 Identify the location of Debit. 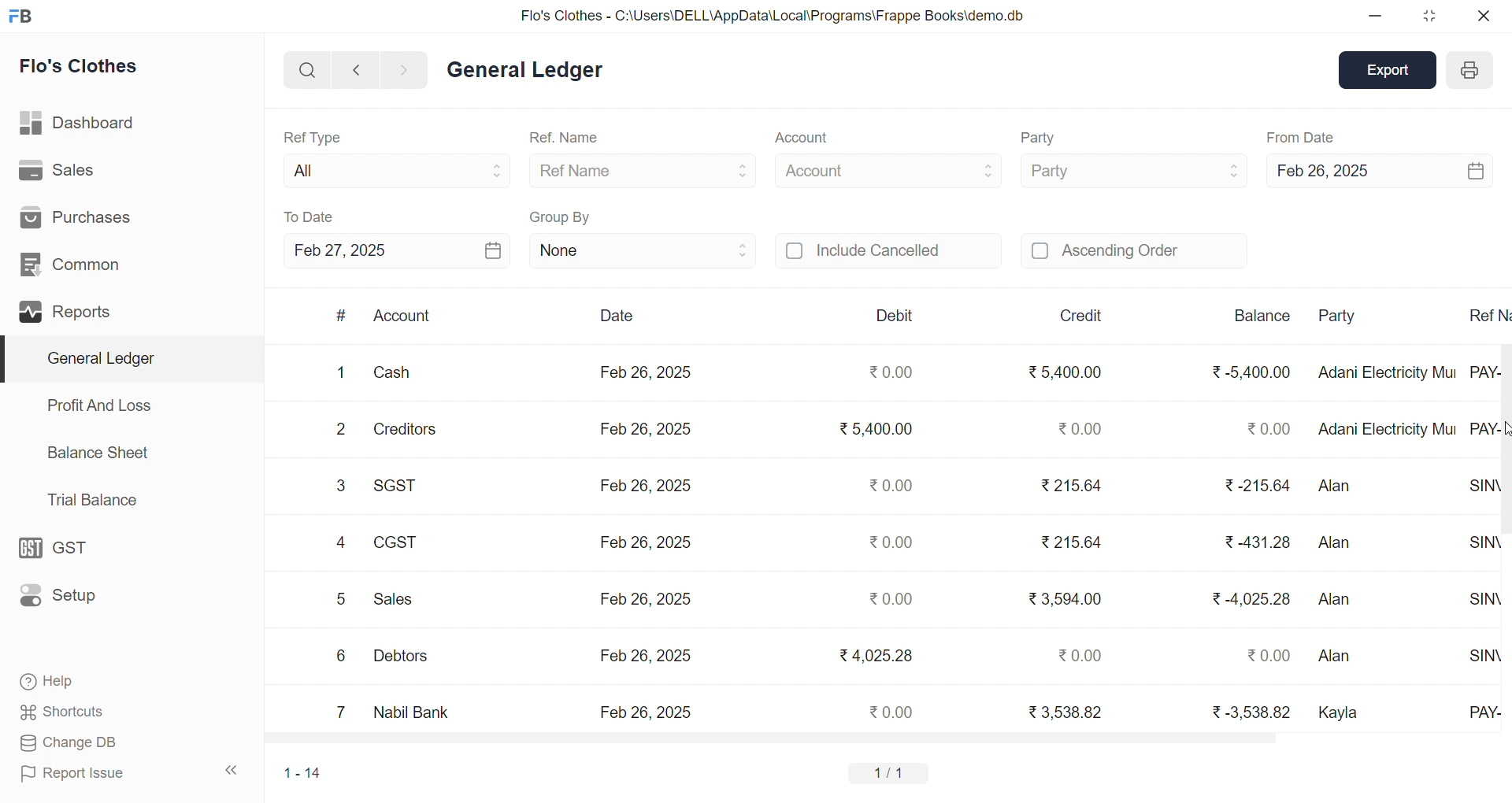
(895, 315).